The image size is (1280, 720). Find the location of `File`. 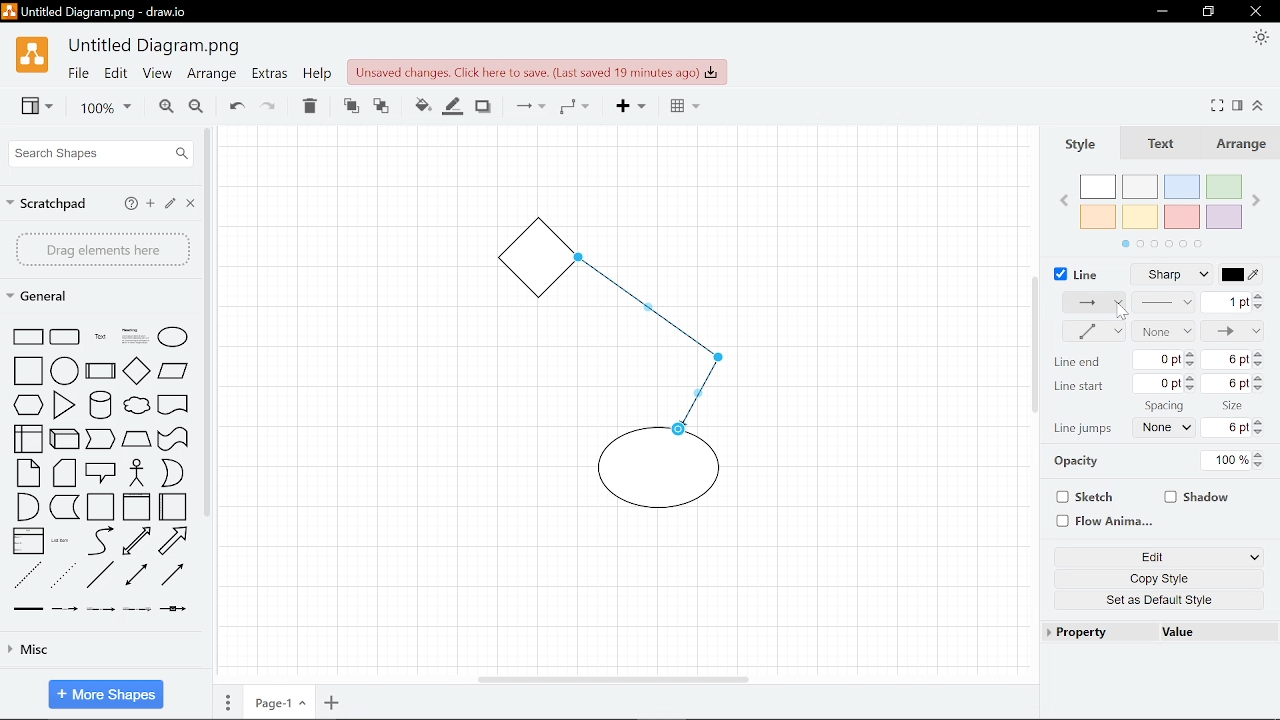

File is located at coordinates (77, 75).